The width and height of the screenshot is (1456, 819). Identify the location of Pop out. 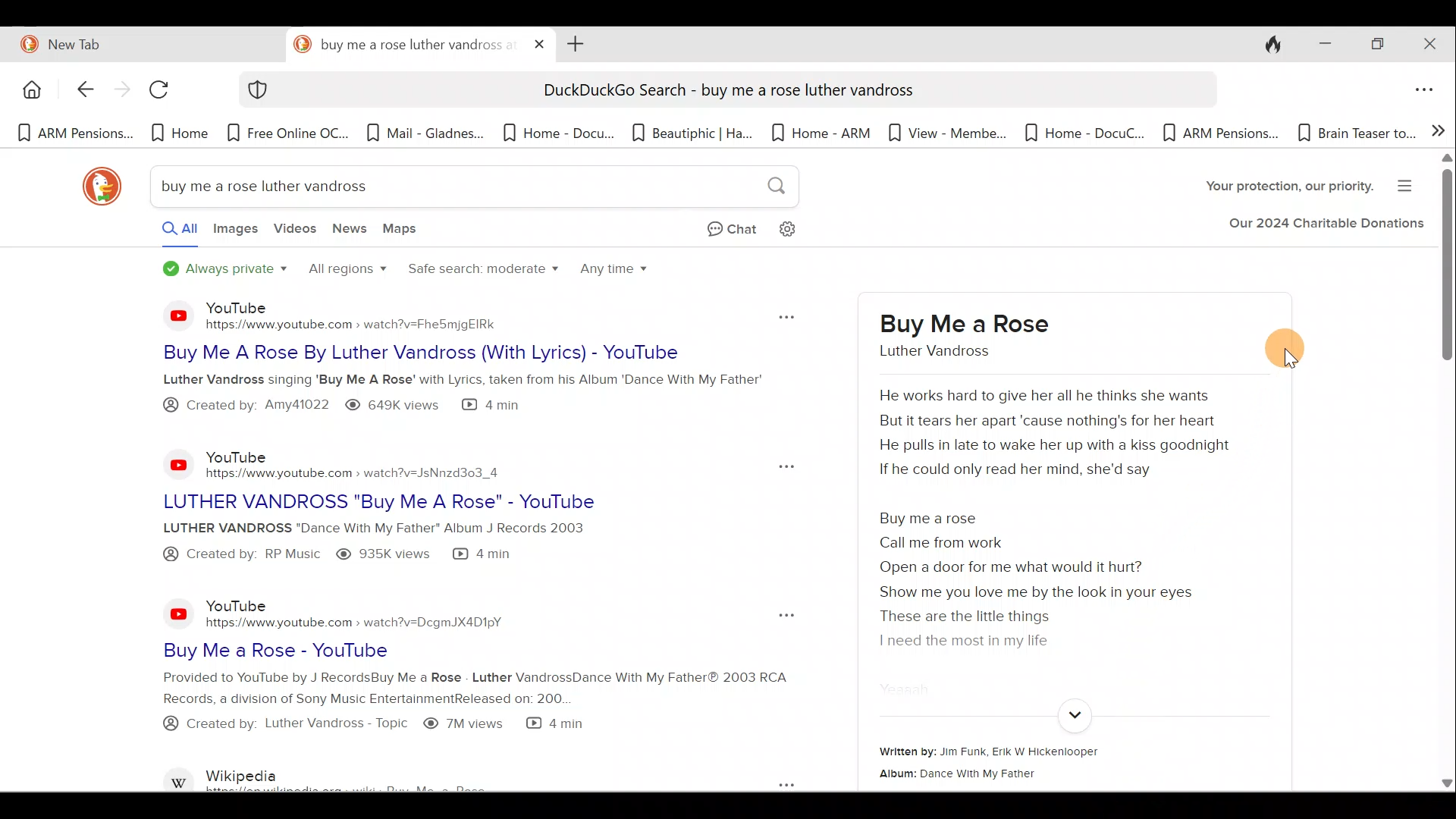
(770, 783).